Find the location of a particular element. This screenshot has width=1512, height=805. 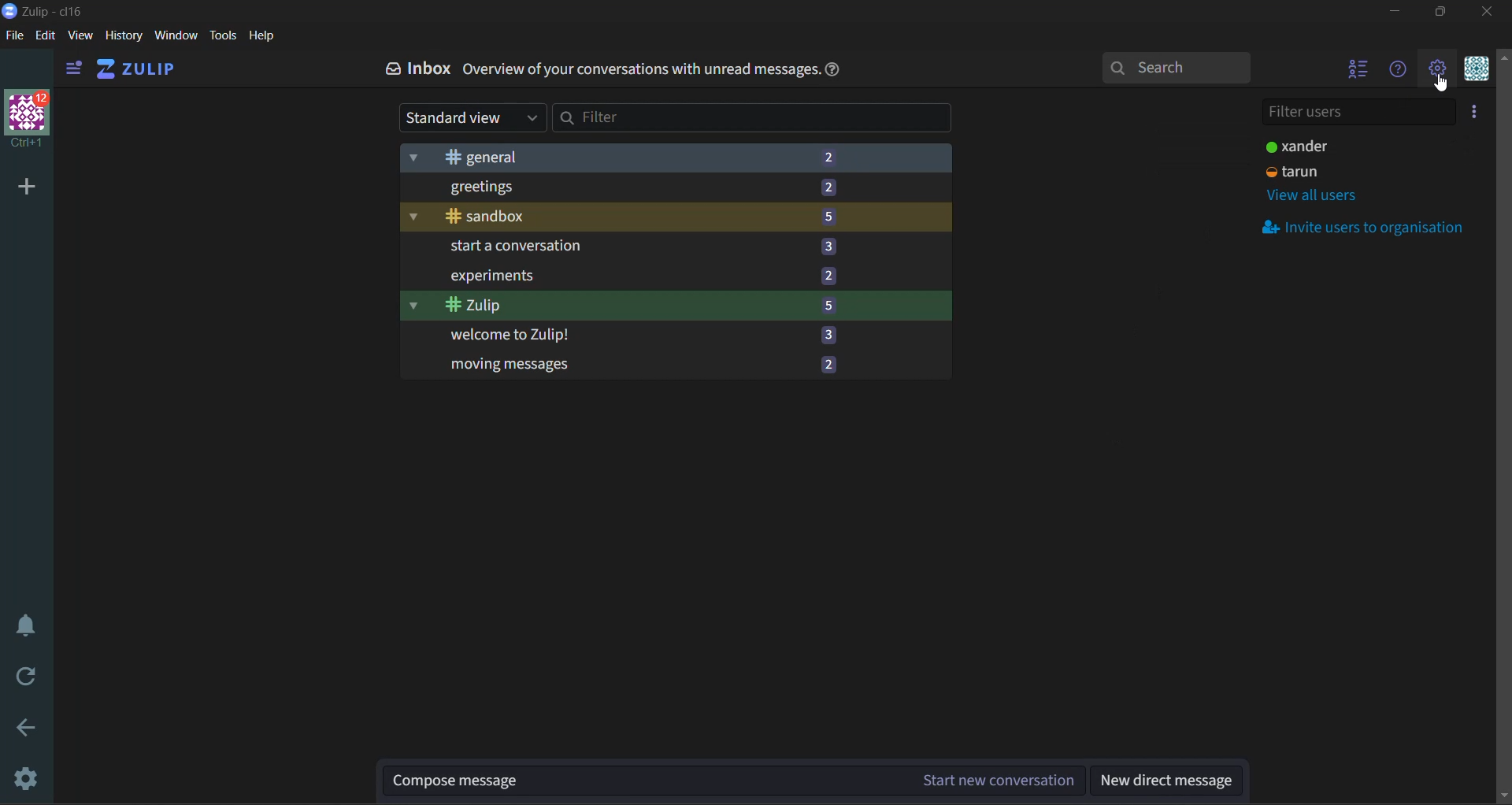

go back is located at coordinates (31, 729).